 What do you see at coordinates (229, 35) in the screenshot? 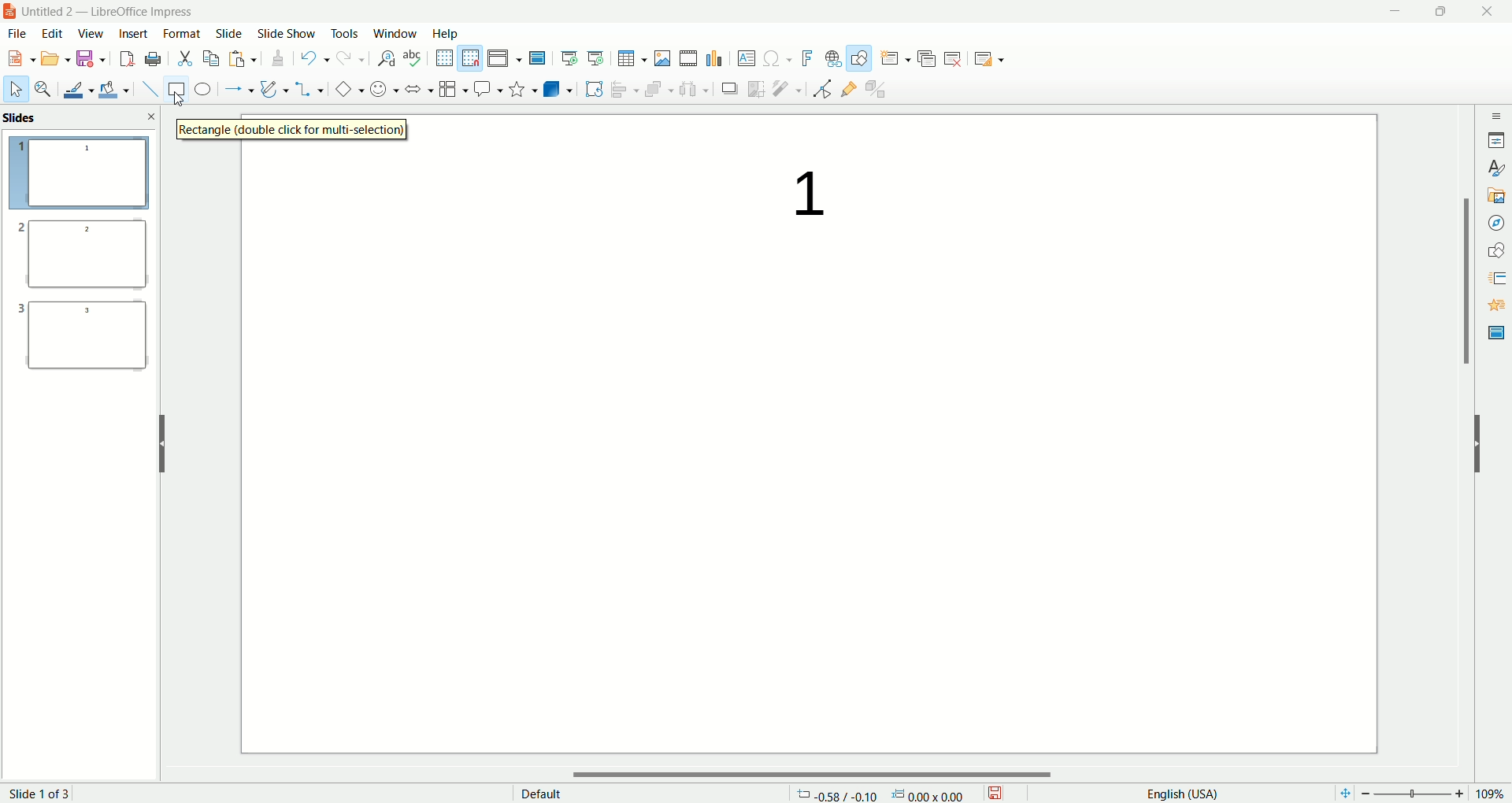
I see `slide` at bounding box center [229, 35].